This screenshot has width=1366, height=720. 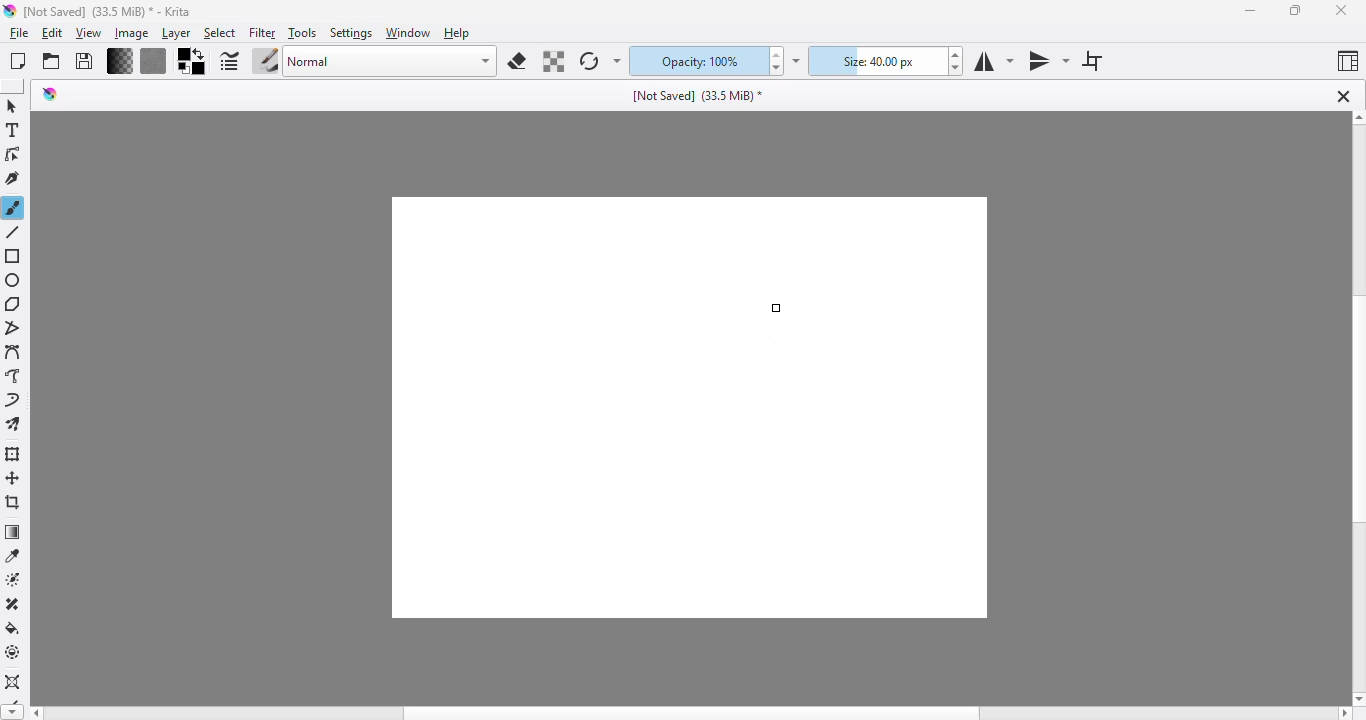 What do you see at coordinates (14, 281) in the screenshot?
I see `ellipse tool` at bounding box center [14, 281].